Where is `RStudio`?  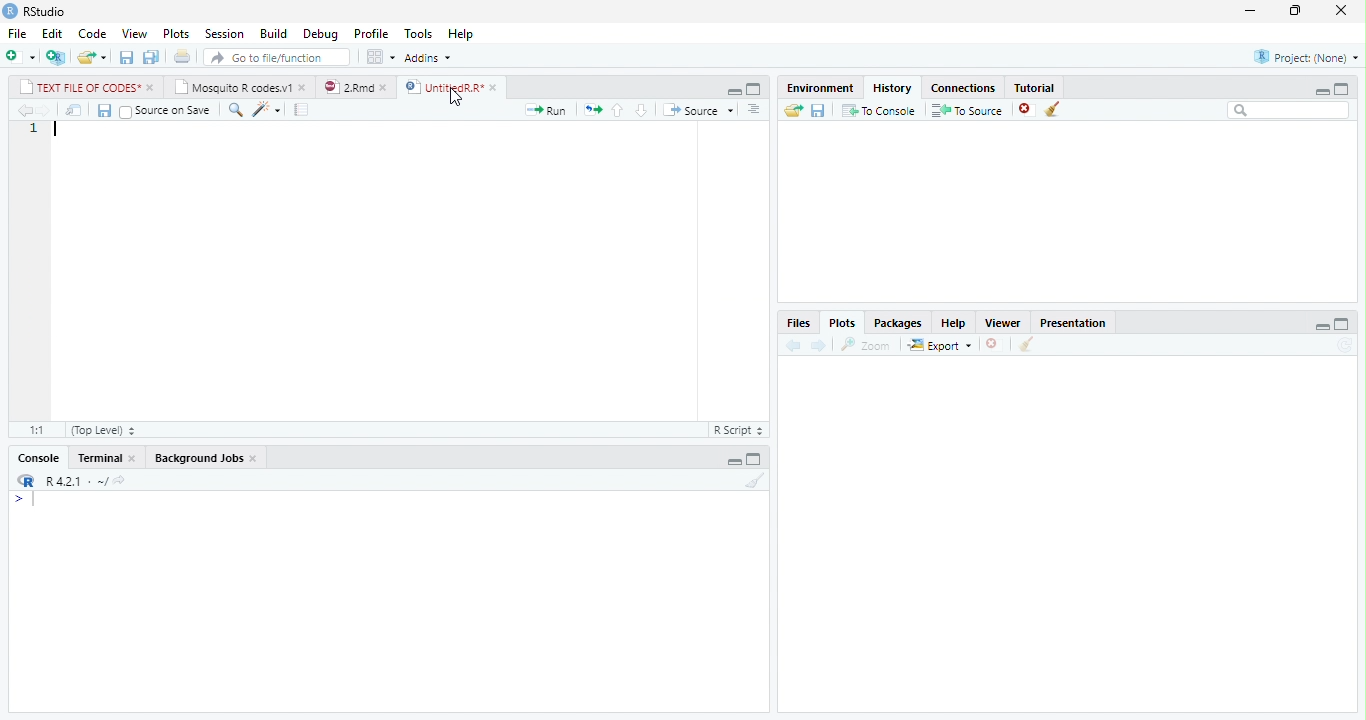 RStudio is located at coordinates (46, 12).